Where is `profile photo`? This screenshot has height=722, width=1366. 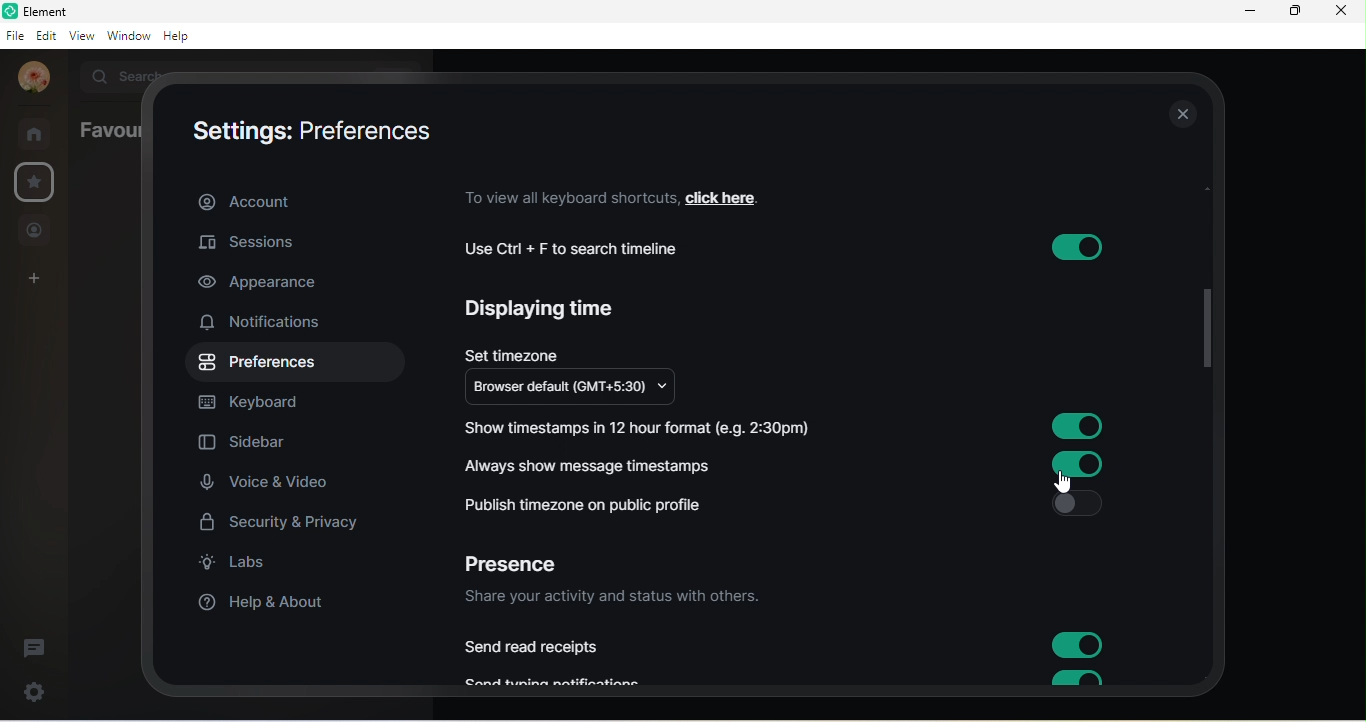 profile photo is located at coordinates (30, 78).